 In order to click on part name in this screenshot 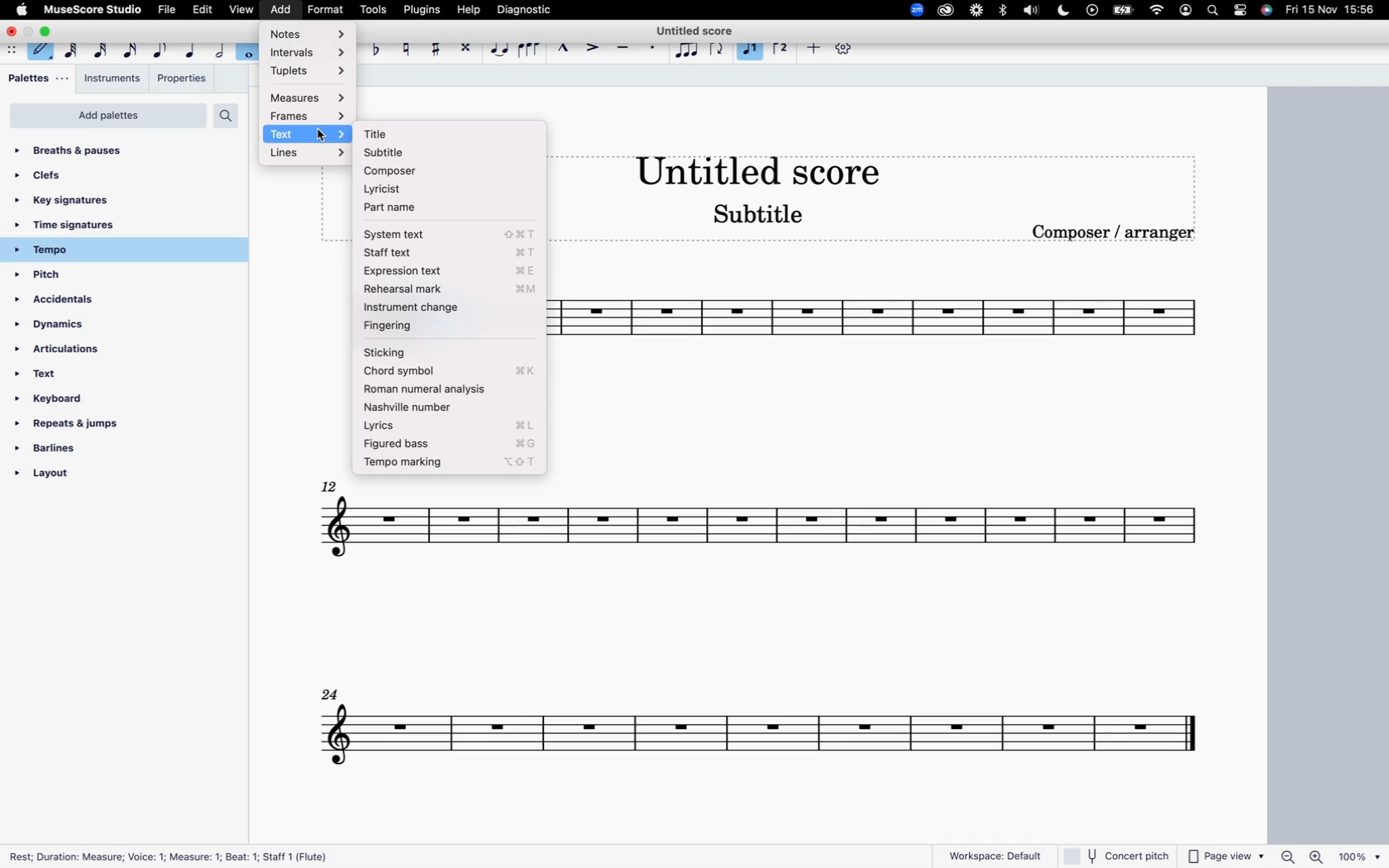, I will do `click(417, 208)`.